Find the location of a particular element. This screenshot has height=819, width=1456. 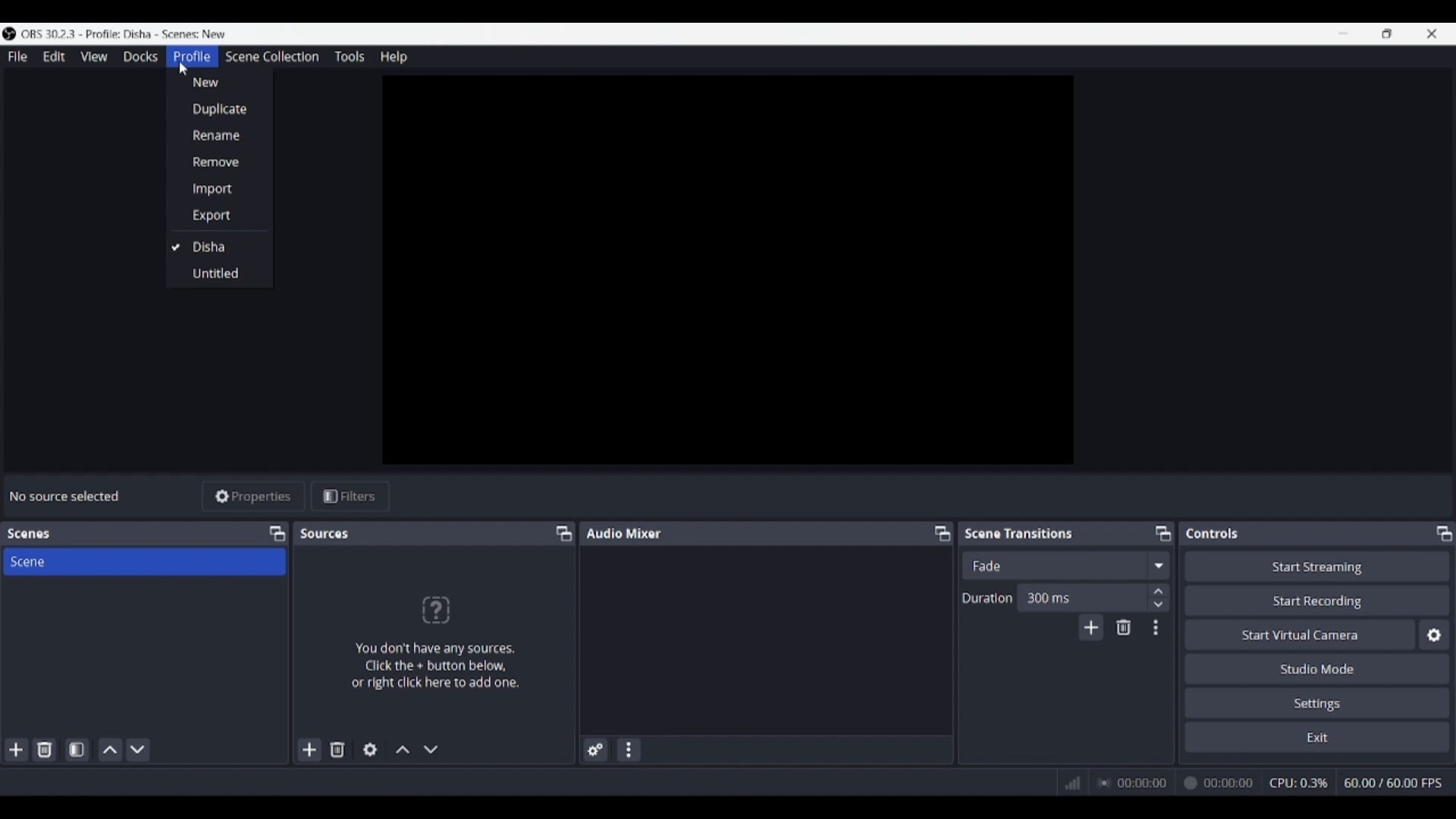

Audio Mixer is located at coordinates (770, 532).